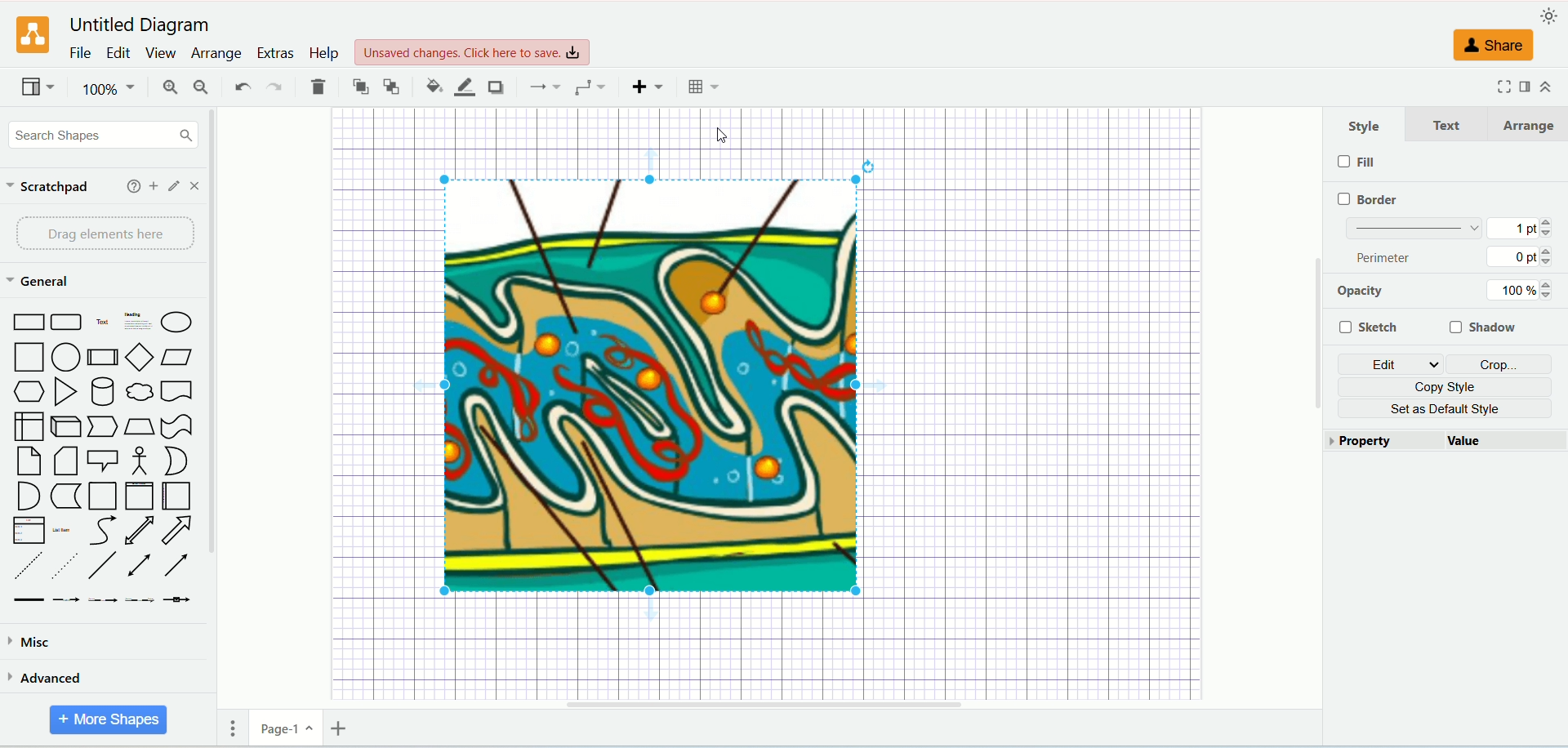 The width and height of the screenshot is (1568, 748). Describe the element at coordinates (216, 425) in the screenshot. I see `vertical scroll bar` at that location.